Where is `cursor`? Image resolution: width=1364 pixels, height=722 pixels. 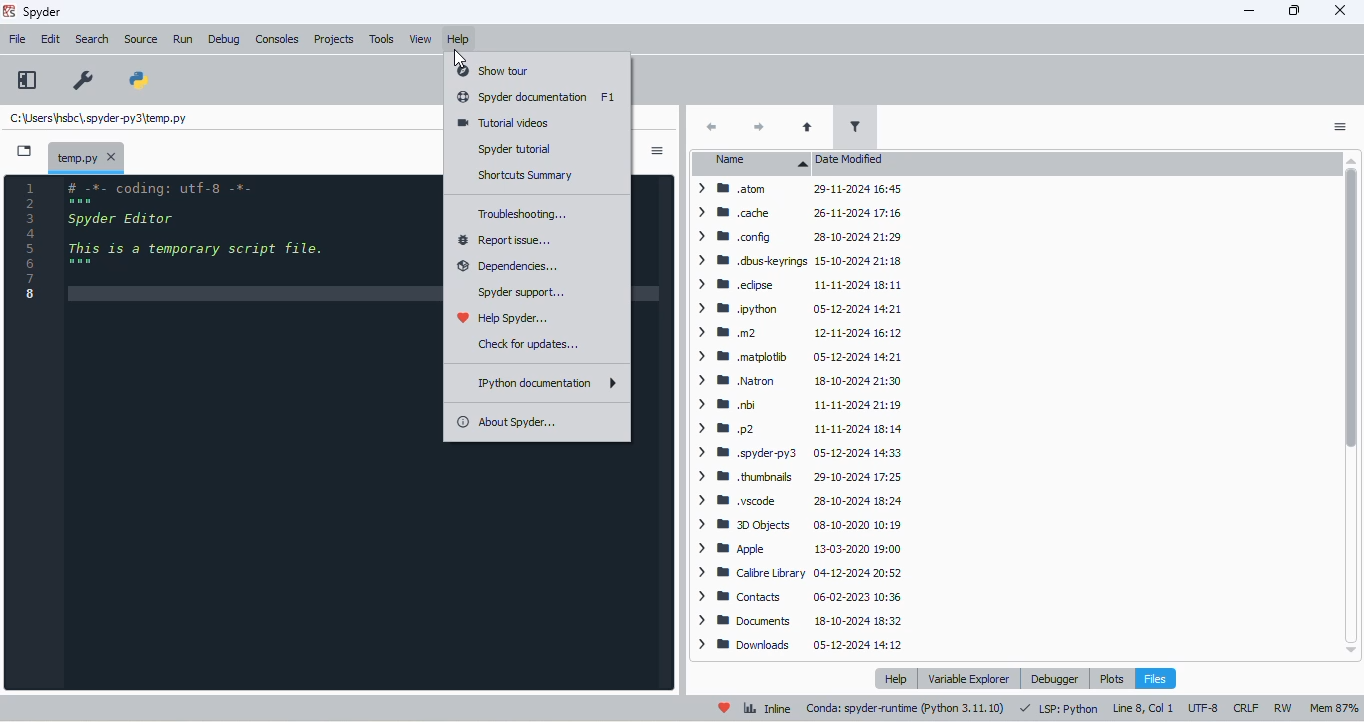
cursor is located at coordinates (459, 59).